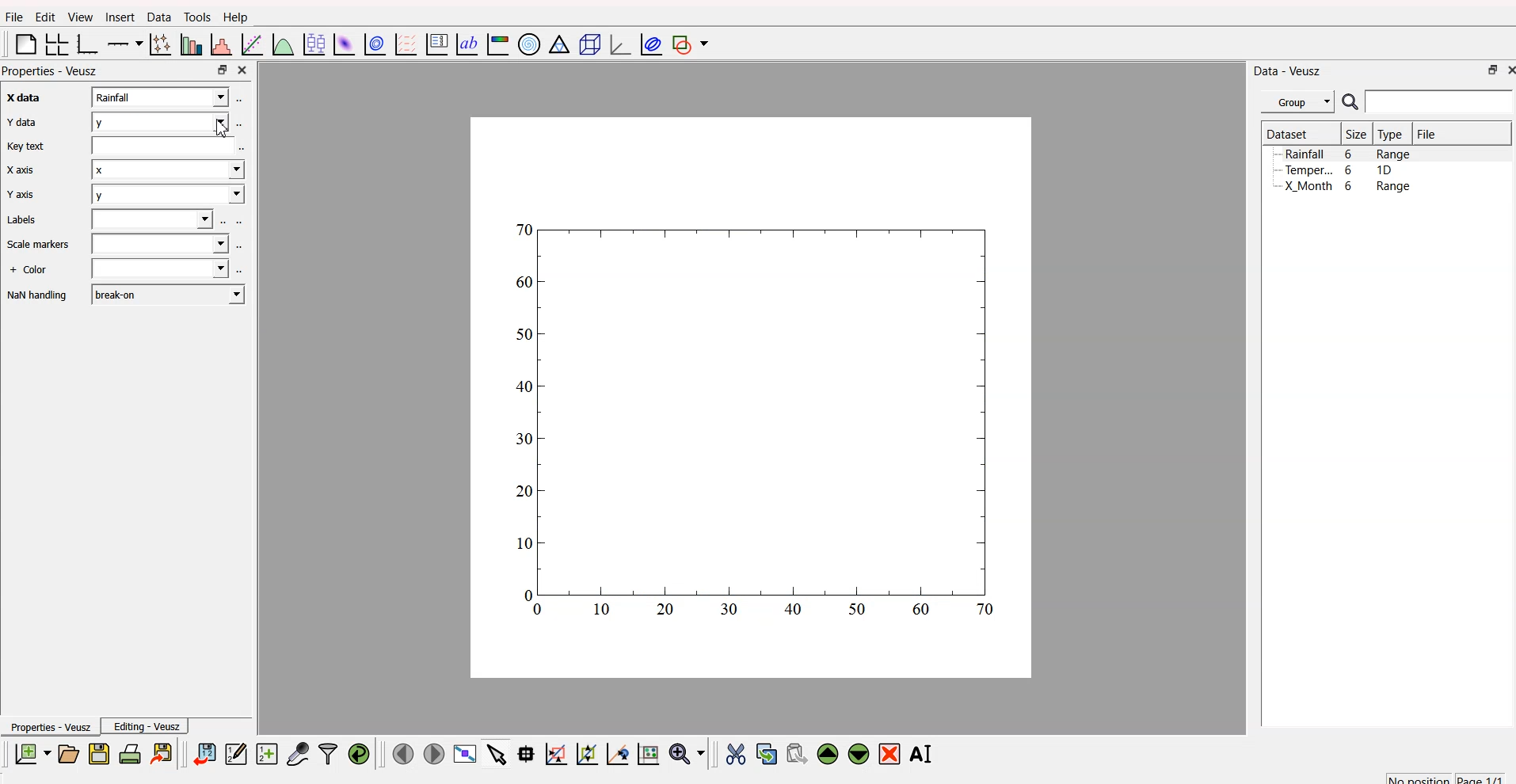  I want to click on base graph, so click(88, 44).